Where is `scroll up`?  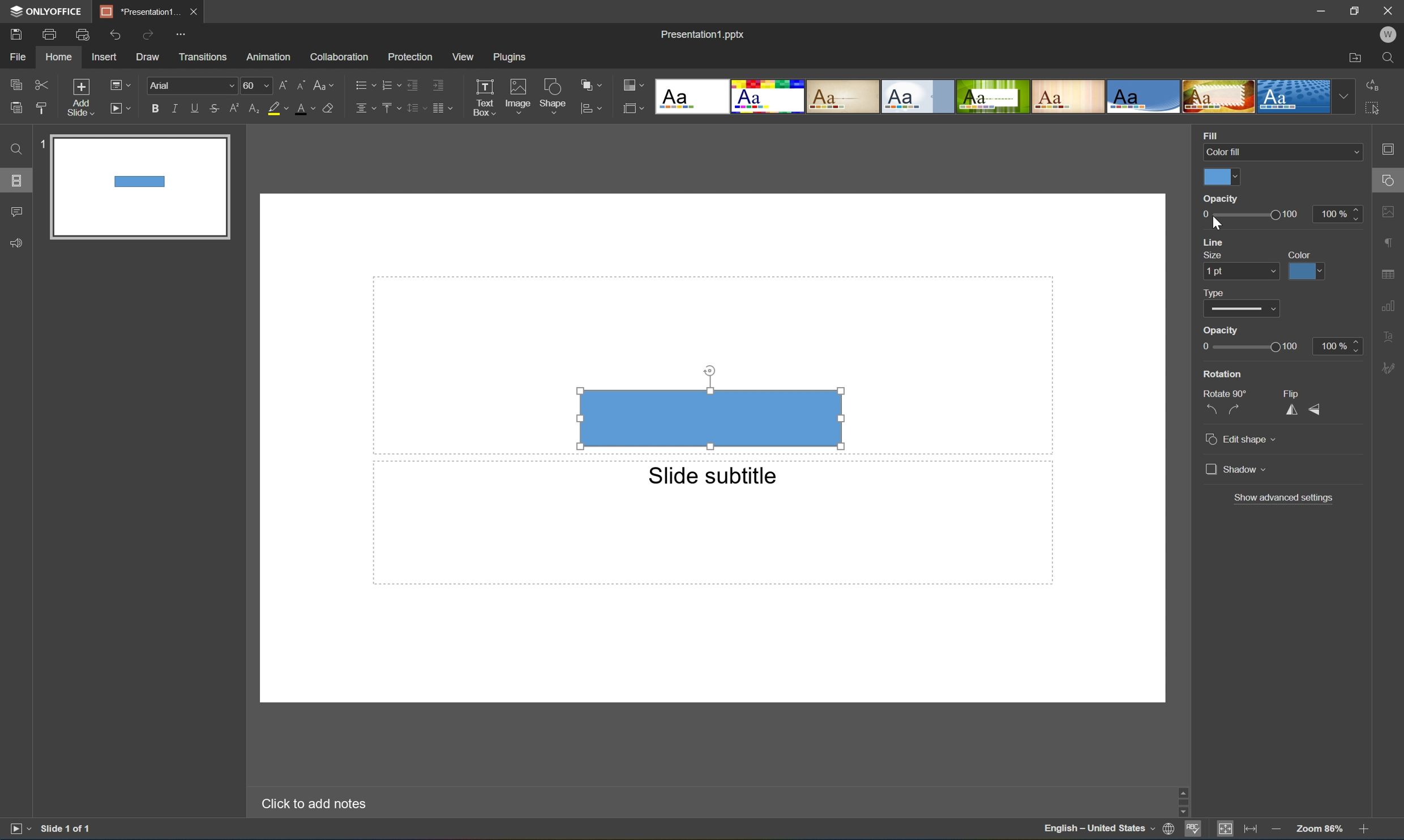 scroll up is located at coordinates (1362, 790).